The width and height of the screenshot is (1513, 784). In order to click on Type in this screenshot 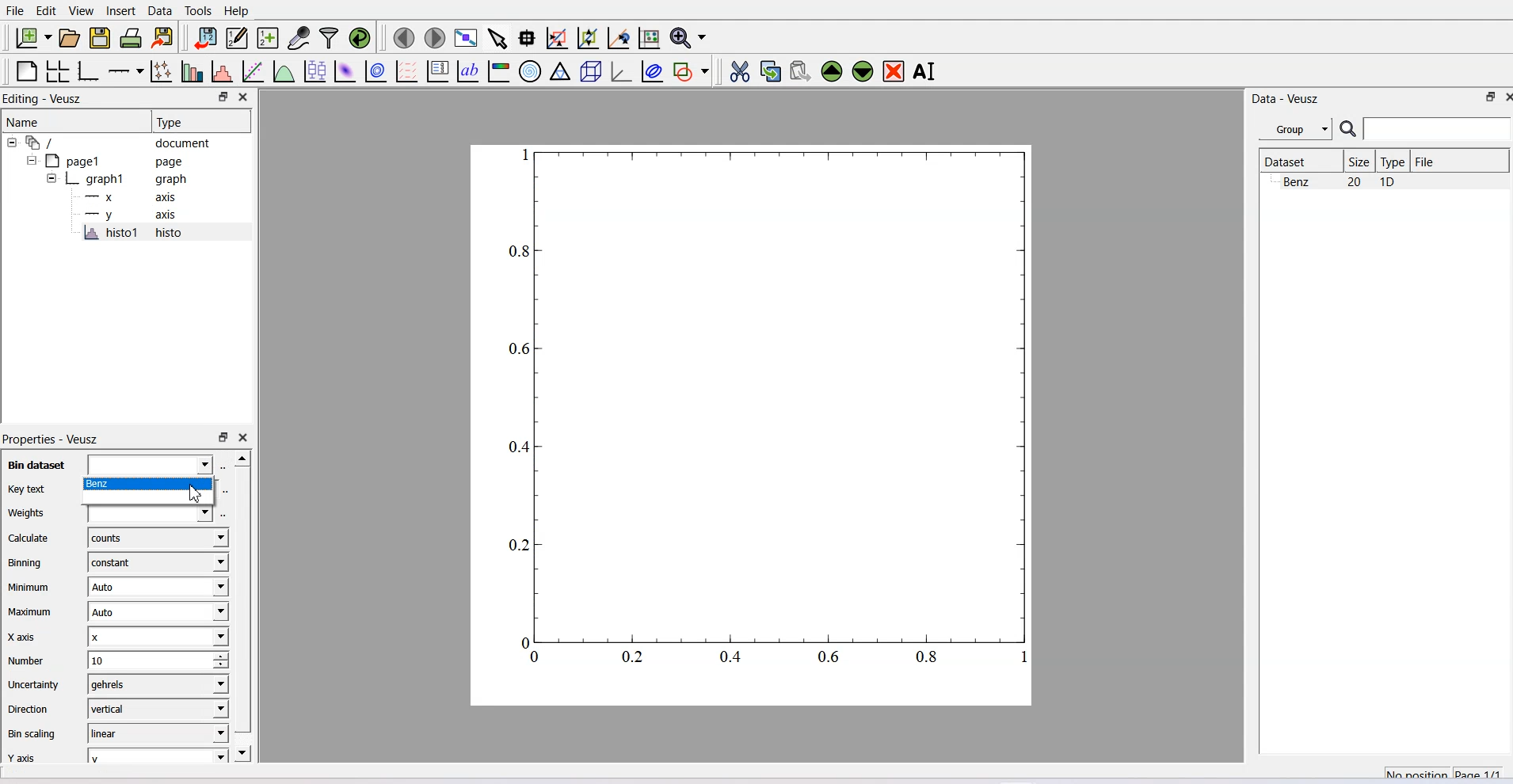, I will do `click(200, 121)`.